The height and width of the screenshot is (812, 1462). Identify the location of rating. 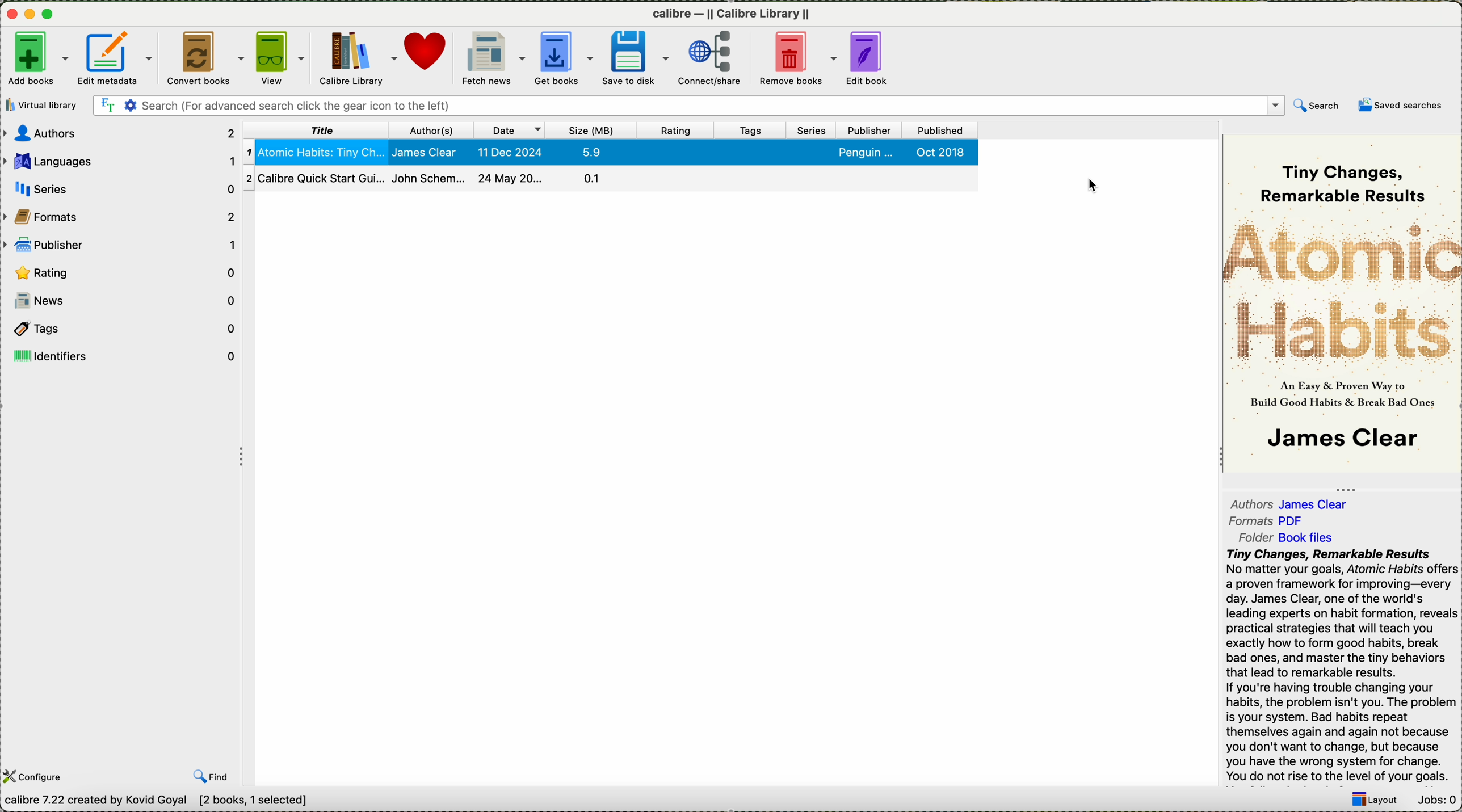
(123, 274).